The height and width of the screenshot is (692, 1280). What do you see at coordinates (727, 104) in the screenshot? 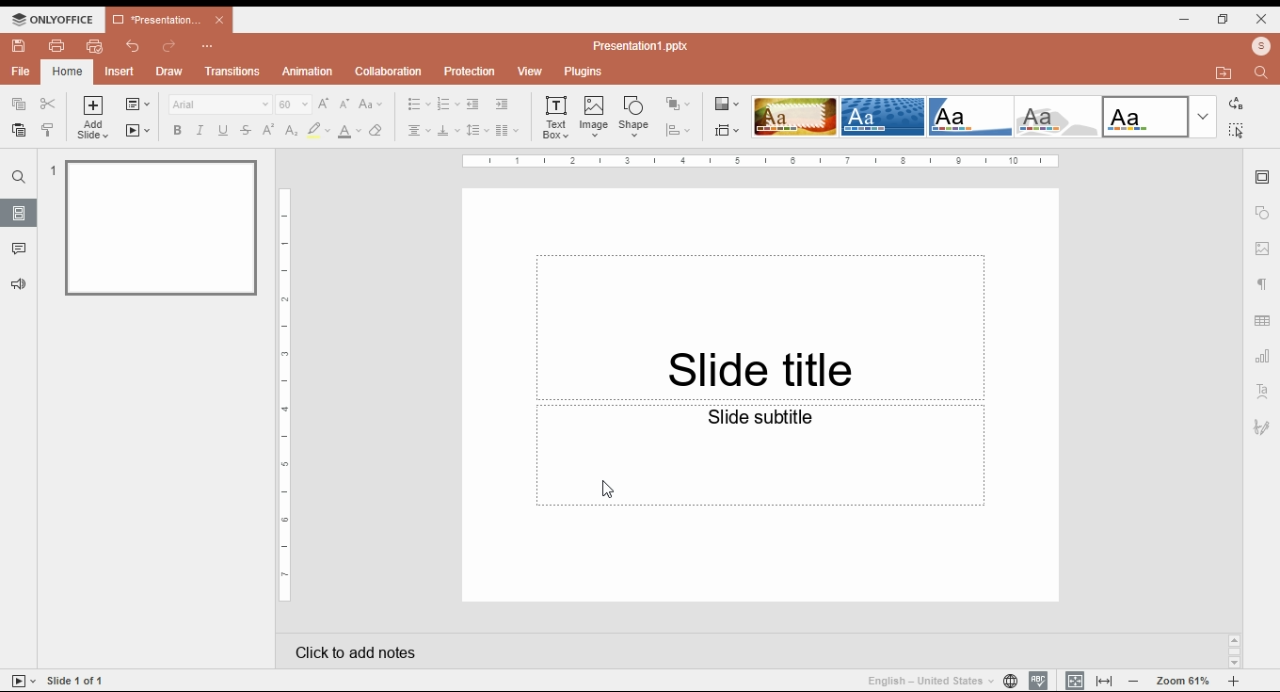
I see `change color theme` at bounding box center [727, 104].